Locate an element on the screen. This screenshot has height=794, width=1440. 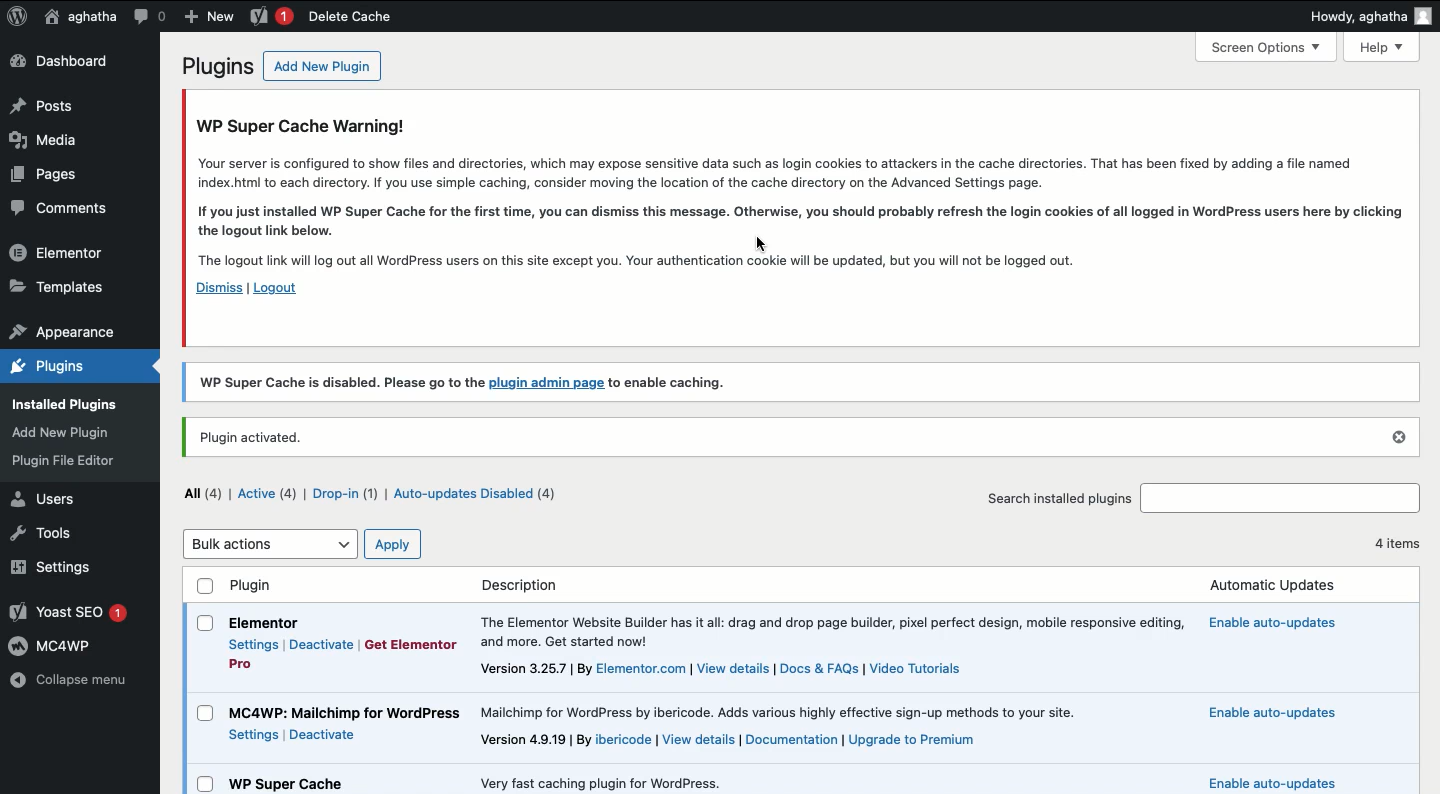
Logout is located at coordinates (280, 290).